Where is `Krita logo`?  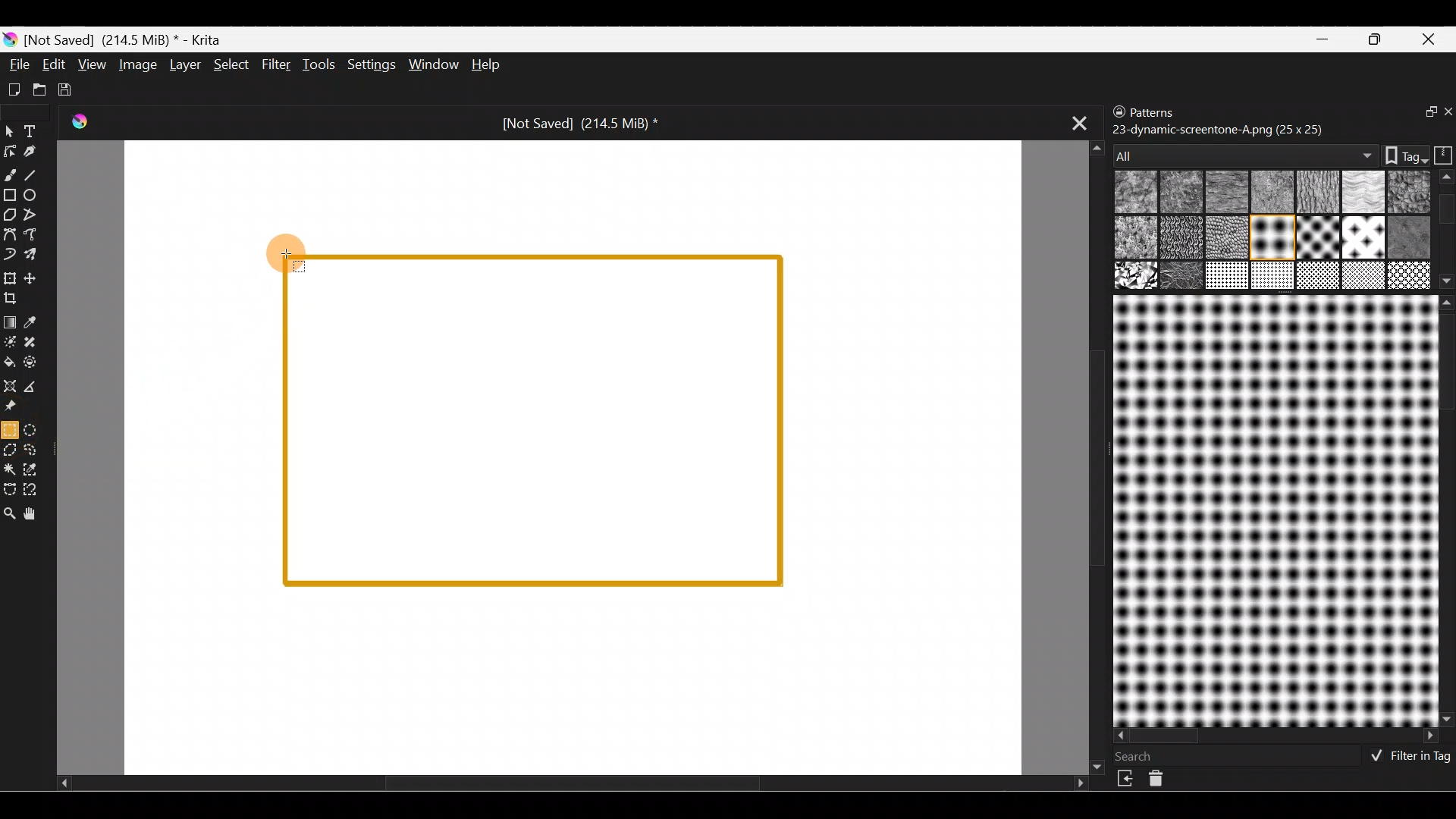
Krita logo is located at coordinates (9, 40).